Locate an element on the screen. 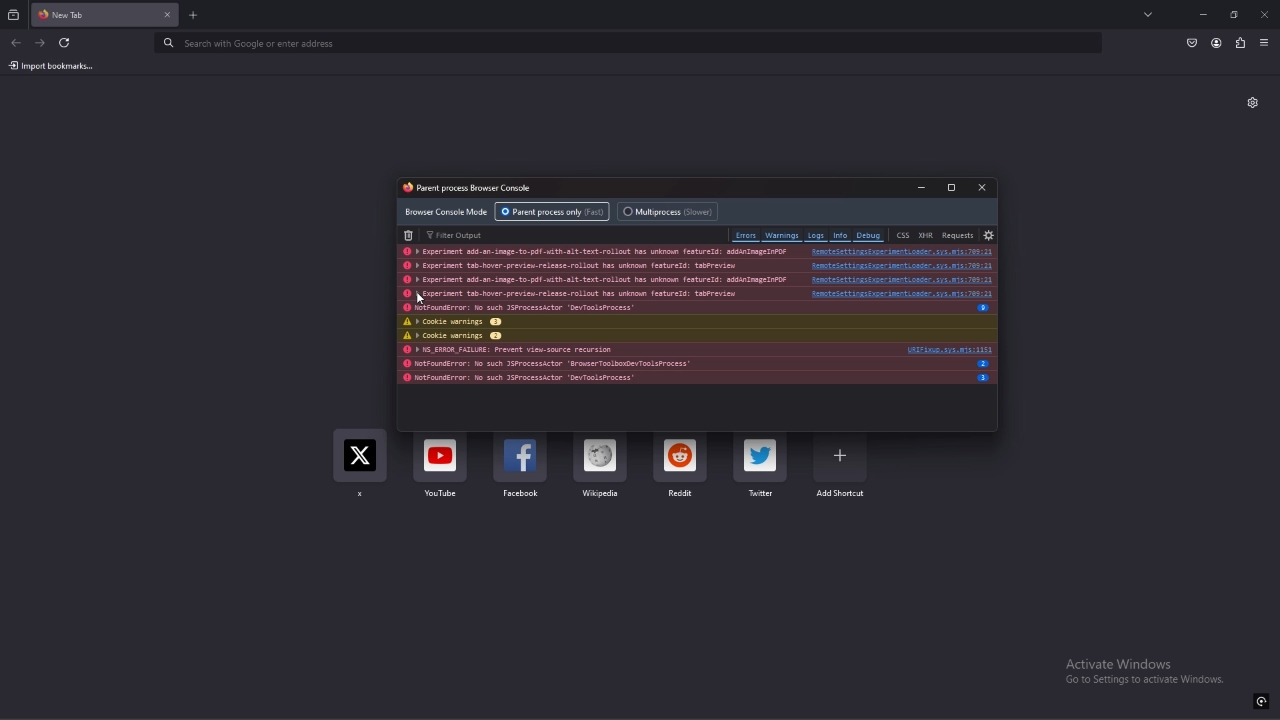 Image resolution: width=1280 pixels, height=720 pixels. log is located at coordinates (585, 306).